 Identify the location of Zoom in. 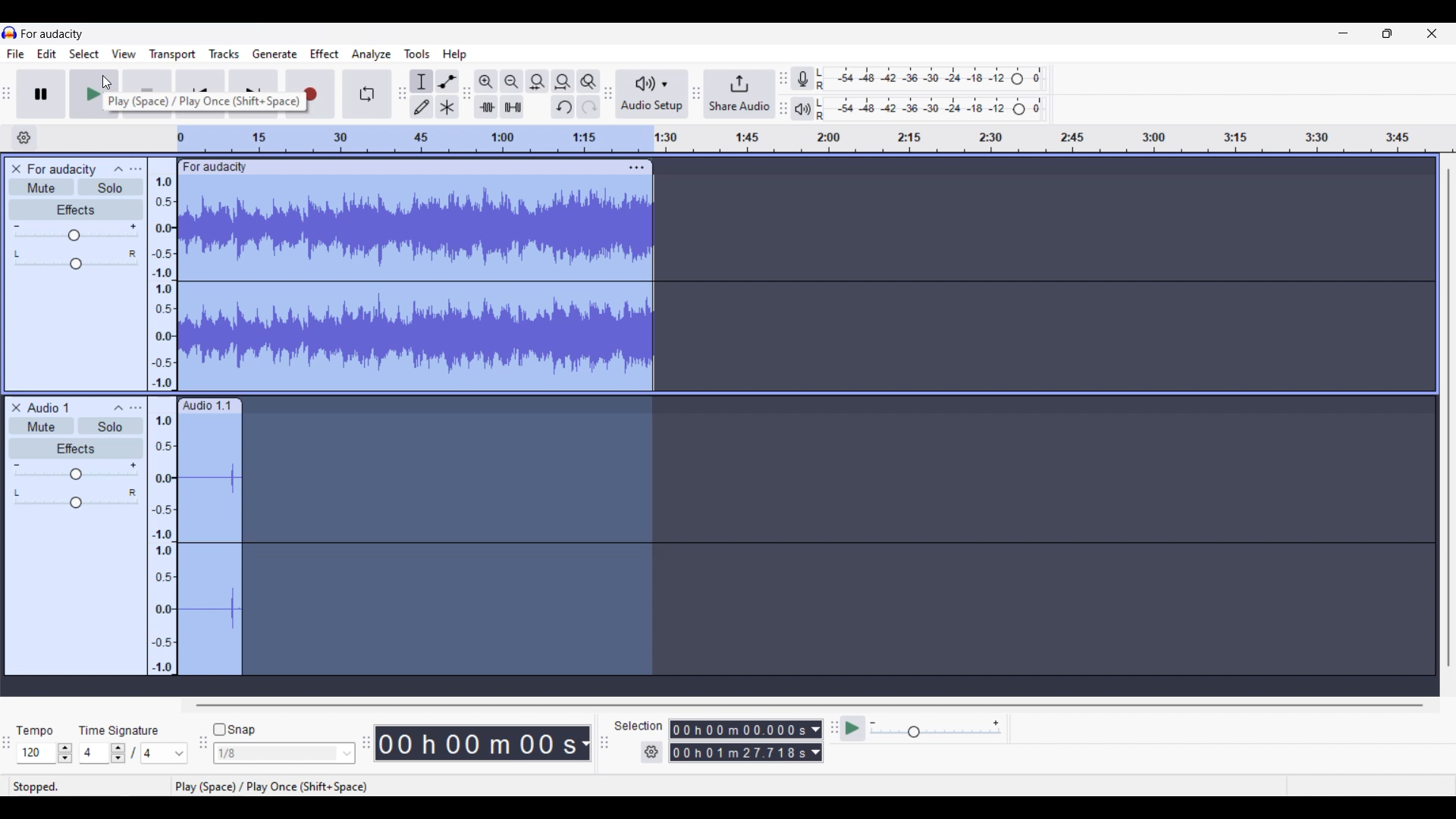
(485, 82).